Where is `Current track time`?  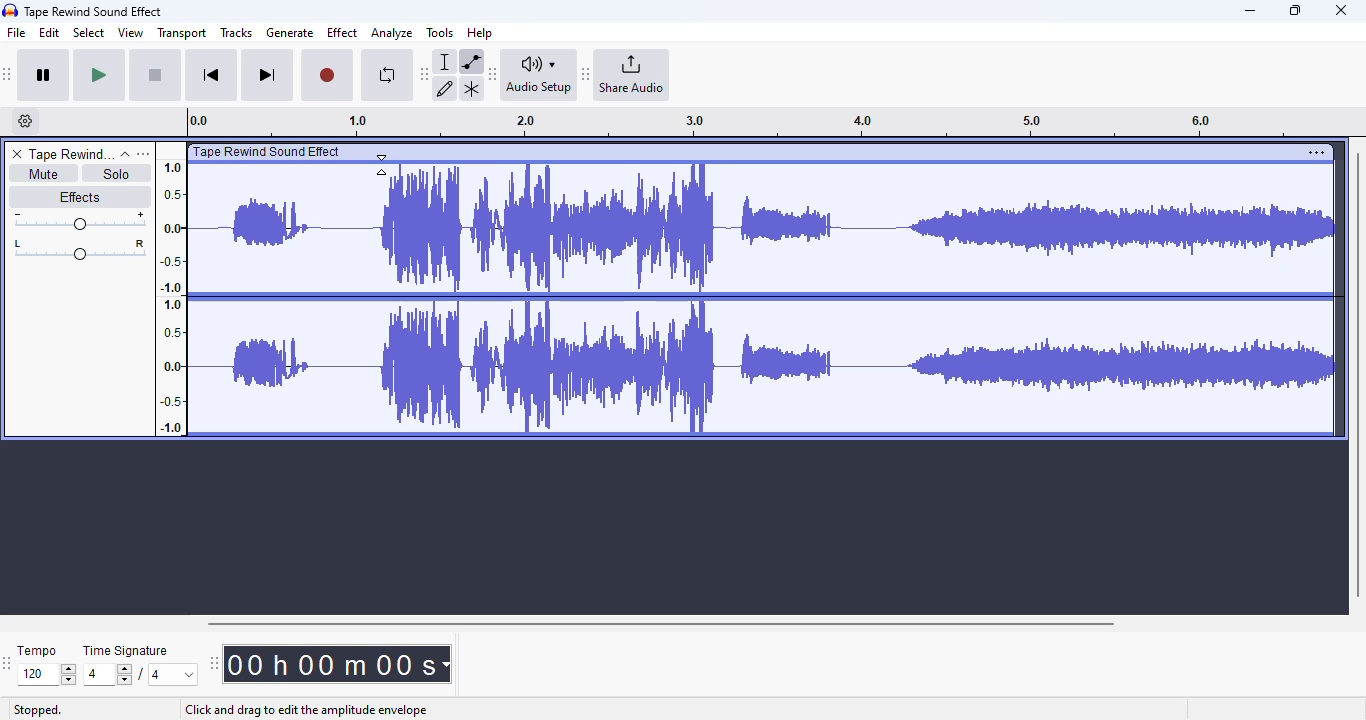 Current track time is located at coordinates (329, 664).